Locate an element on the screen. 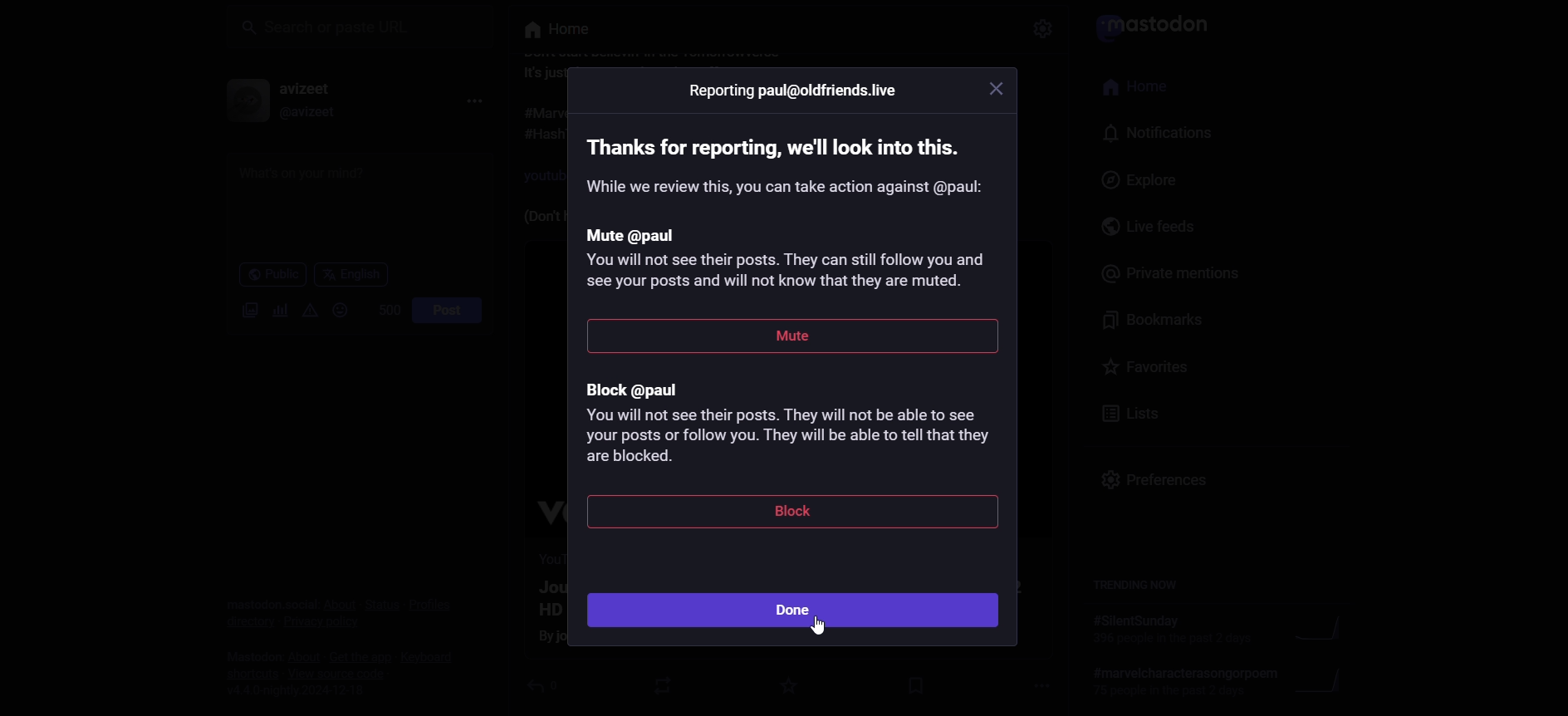 The width and height of the screenshot is (1568, 716). more is located at coordinates (468, 102).